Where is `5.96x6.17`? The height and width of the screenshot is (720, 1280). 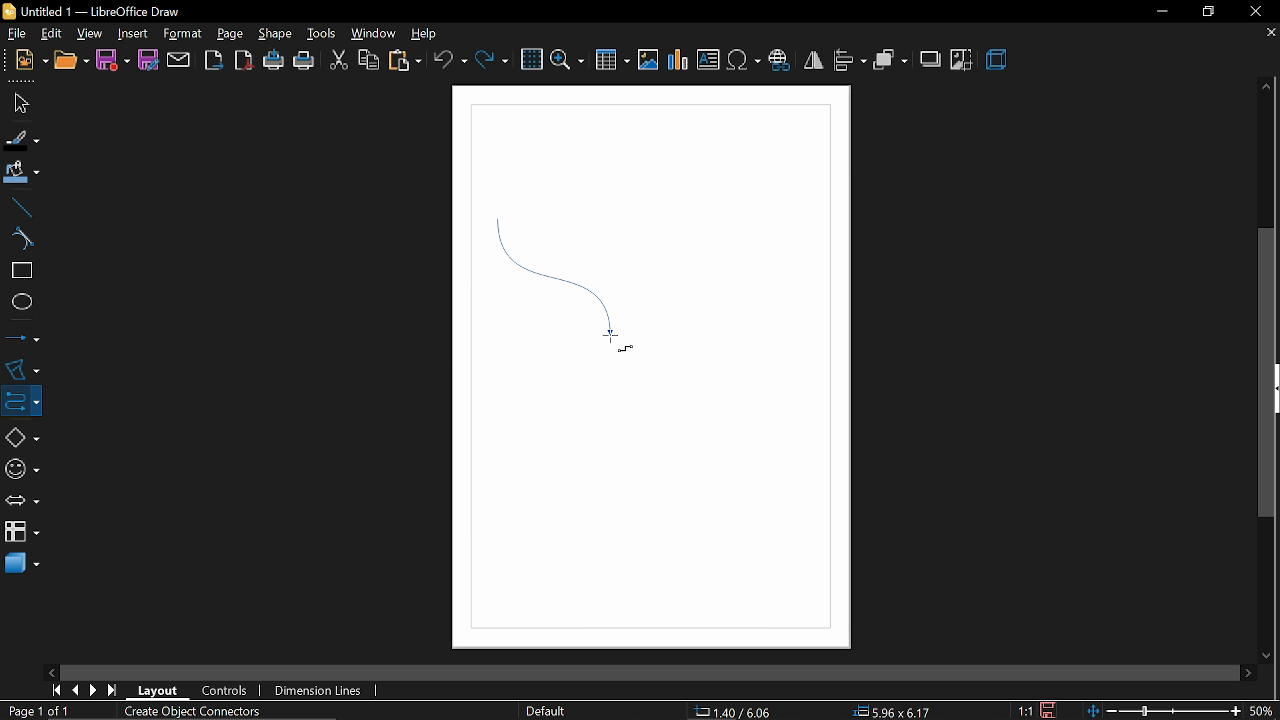
5.96x6.17 is located at coordinates (891, 710).